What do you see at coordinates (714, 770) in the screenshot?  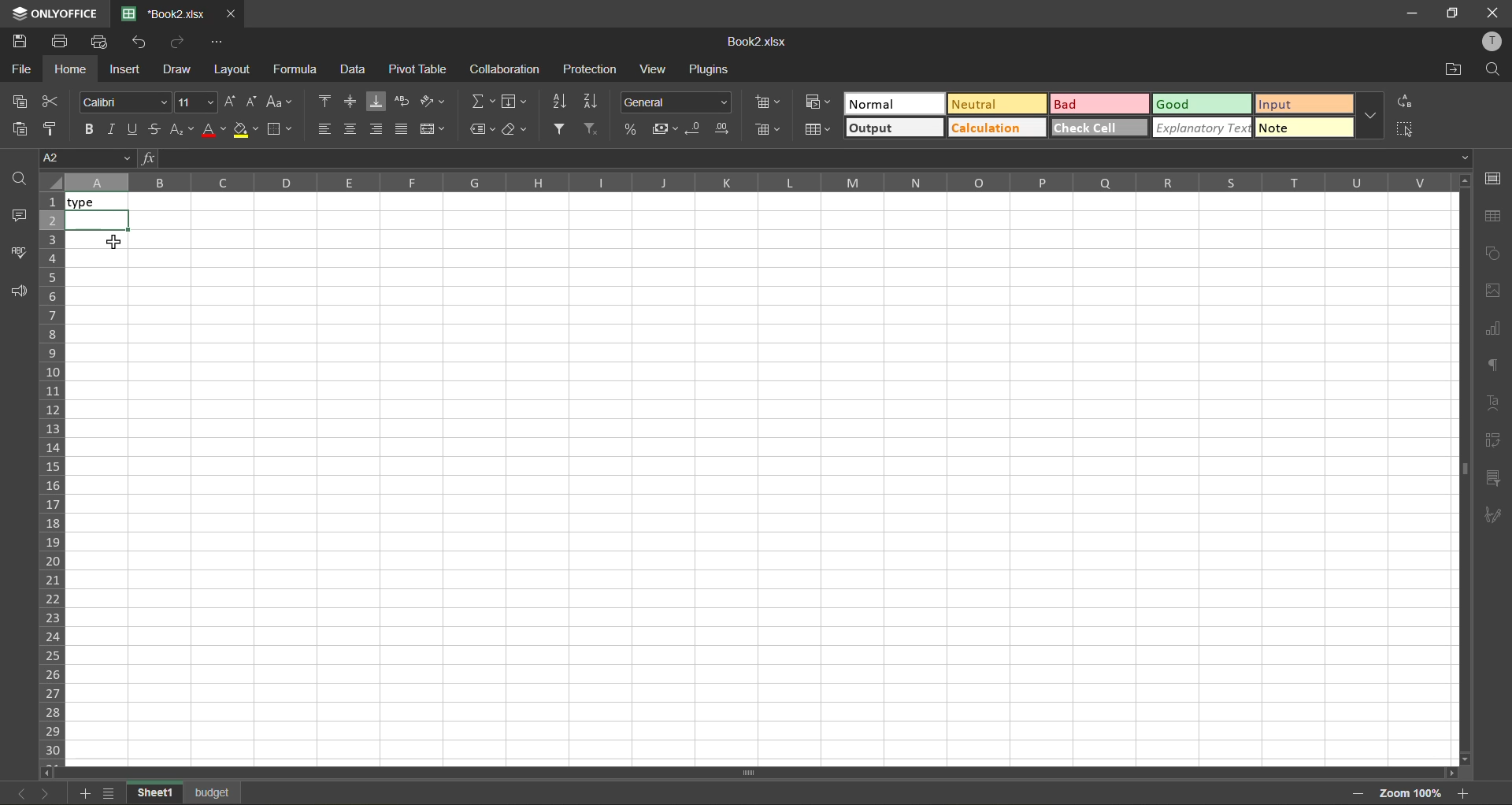 I see `scroll bar` at bounding box center [714, 770].